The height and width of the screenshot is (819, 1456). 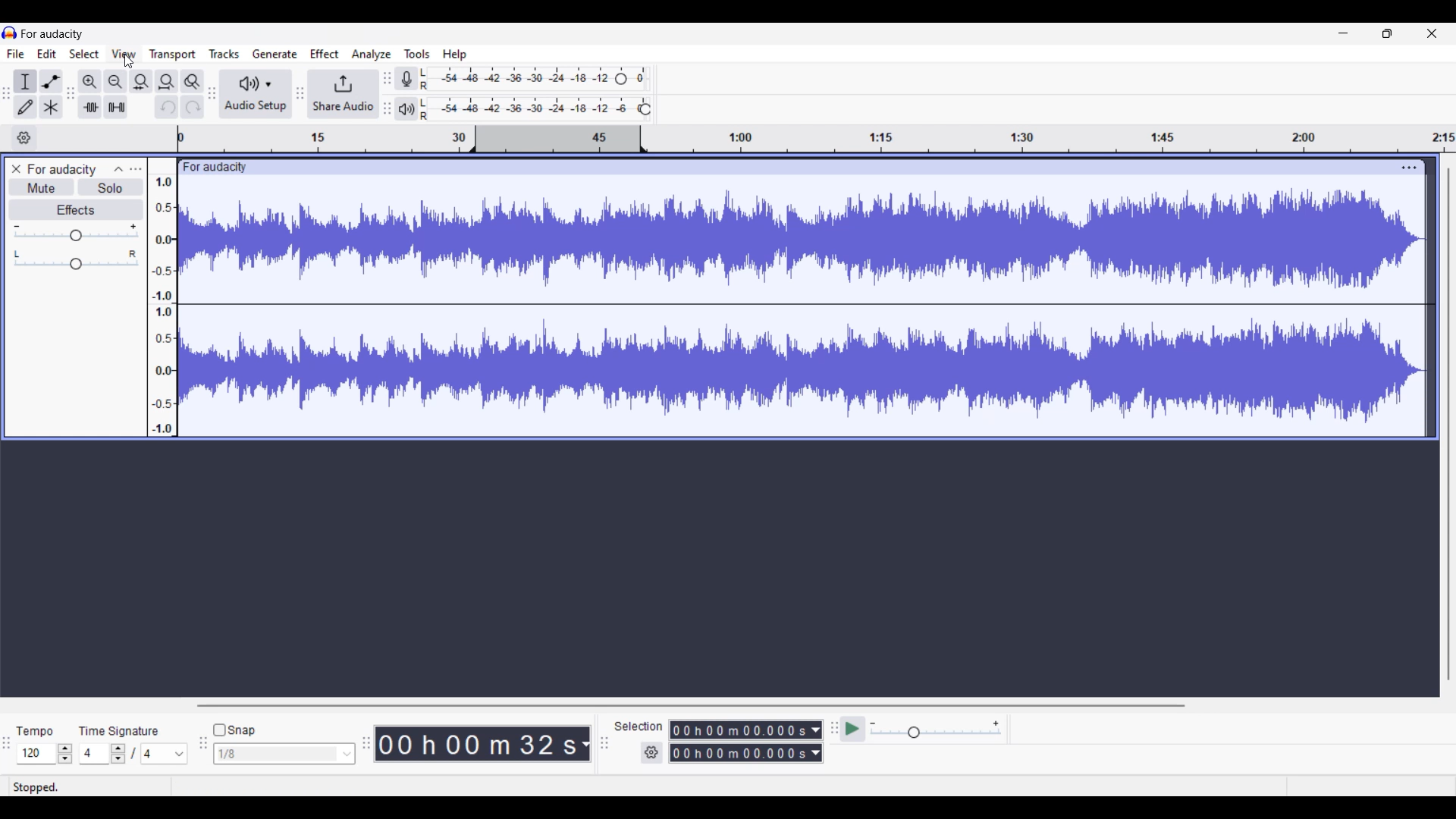 I want to click on click to drag, so click(x=787, y=168).